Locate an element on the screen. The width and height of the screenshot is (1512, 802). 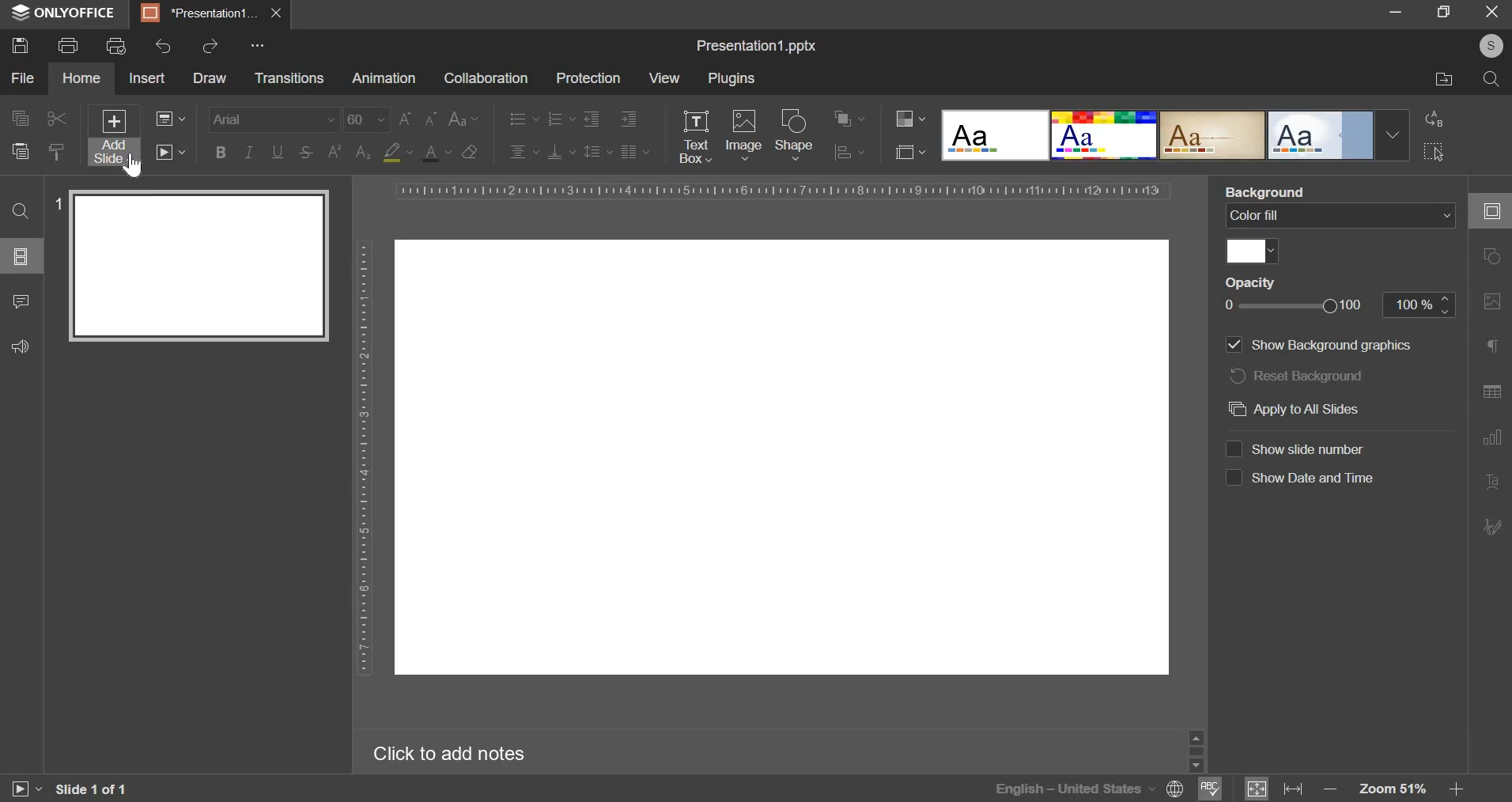
color design is located at coordinates (910, 119).